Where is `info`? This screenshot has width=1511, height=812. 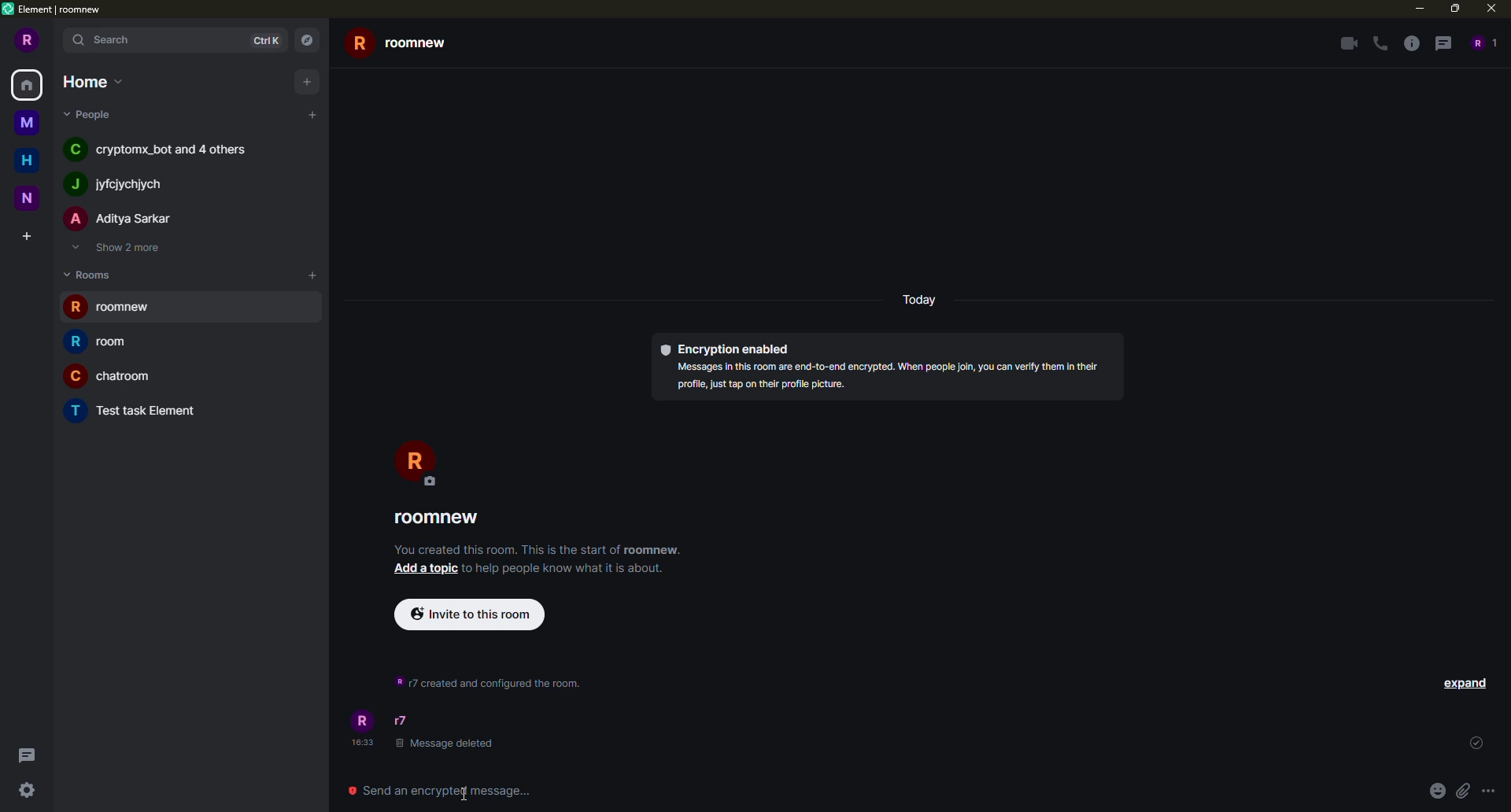 info is located at coordinates (896, 376).